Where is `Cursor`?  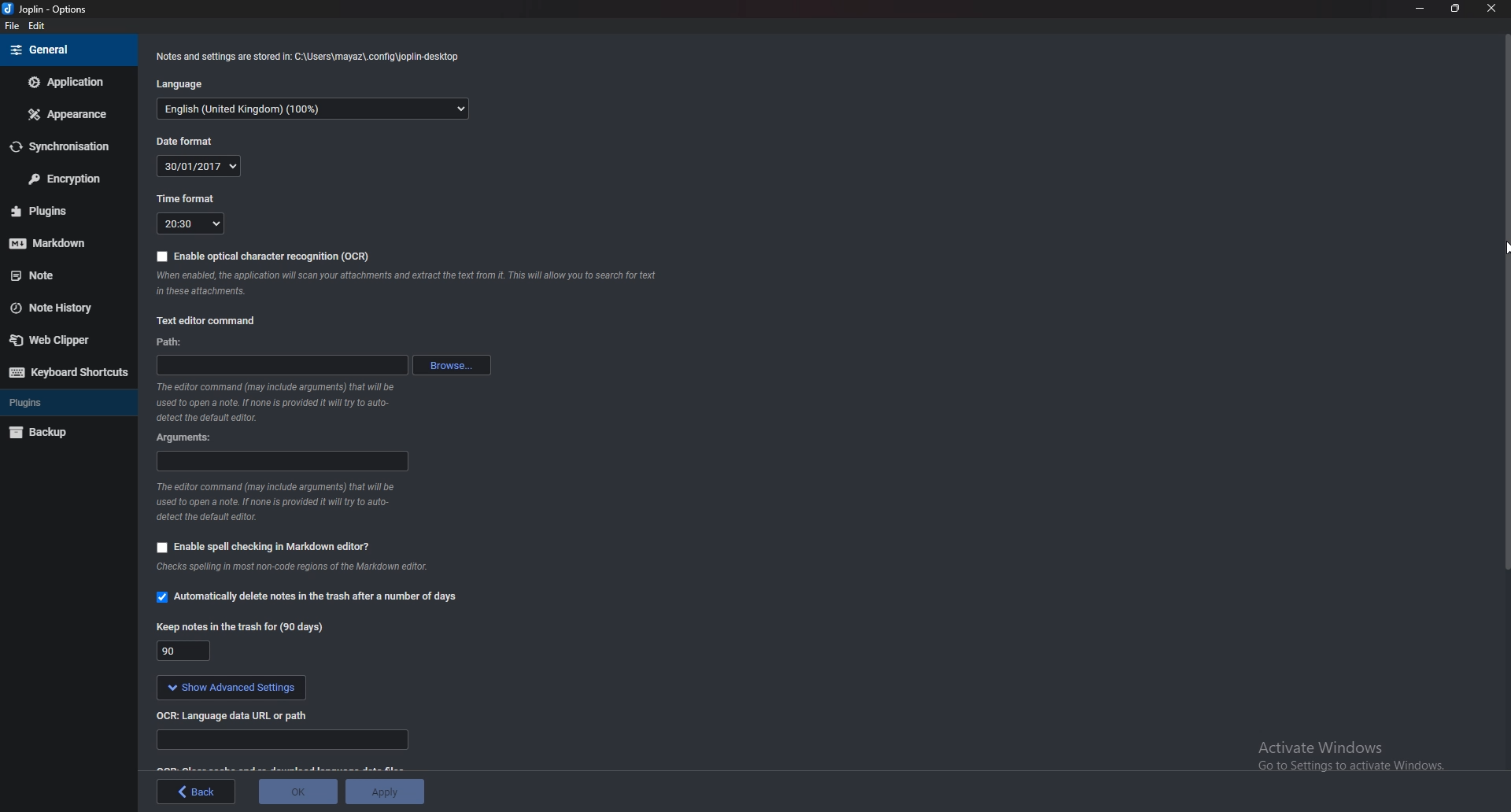
Cursor is located at coordinates (1505, 249).